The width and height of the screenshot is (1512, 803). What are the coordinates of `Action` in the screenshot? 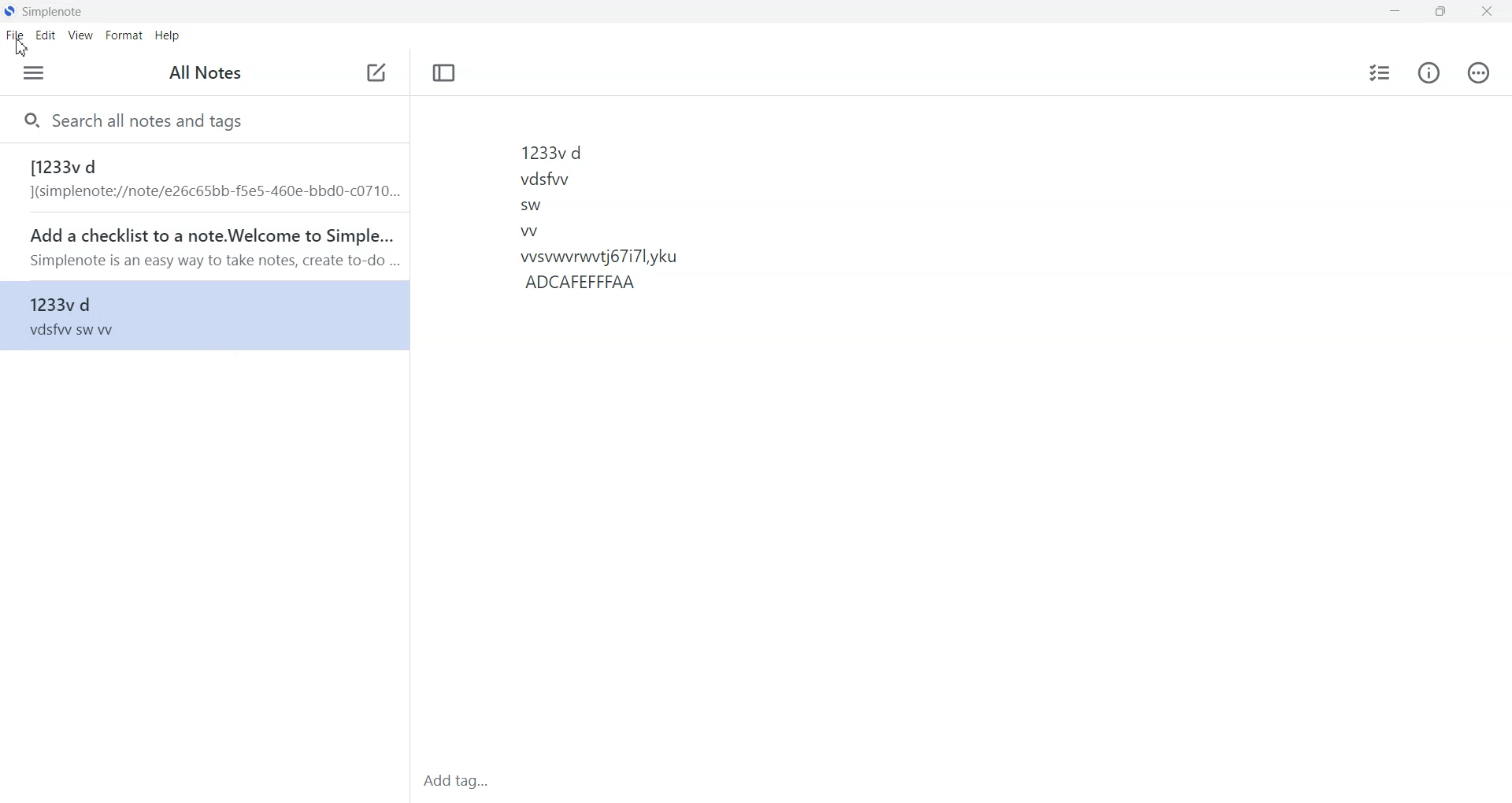 It's located at (1480, 72).